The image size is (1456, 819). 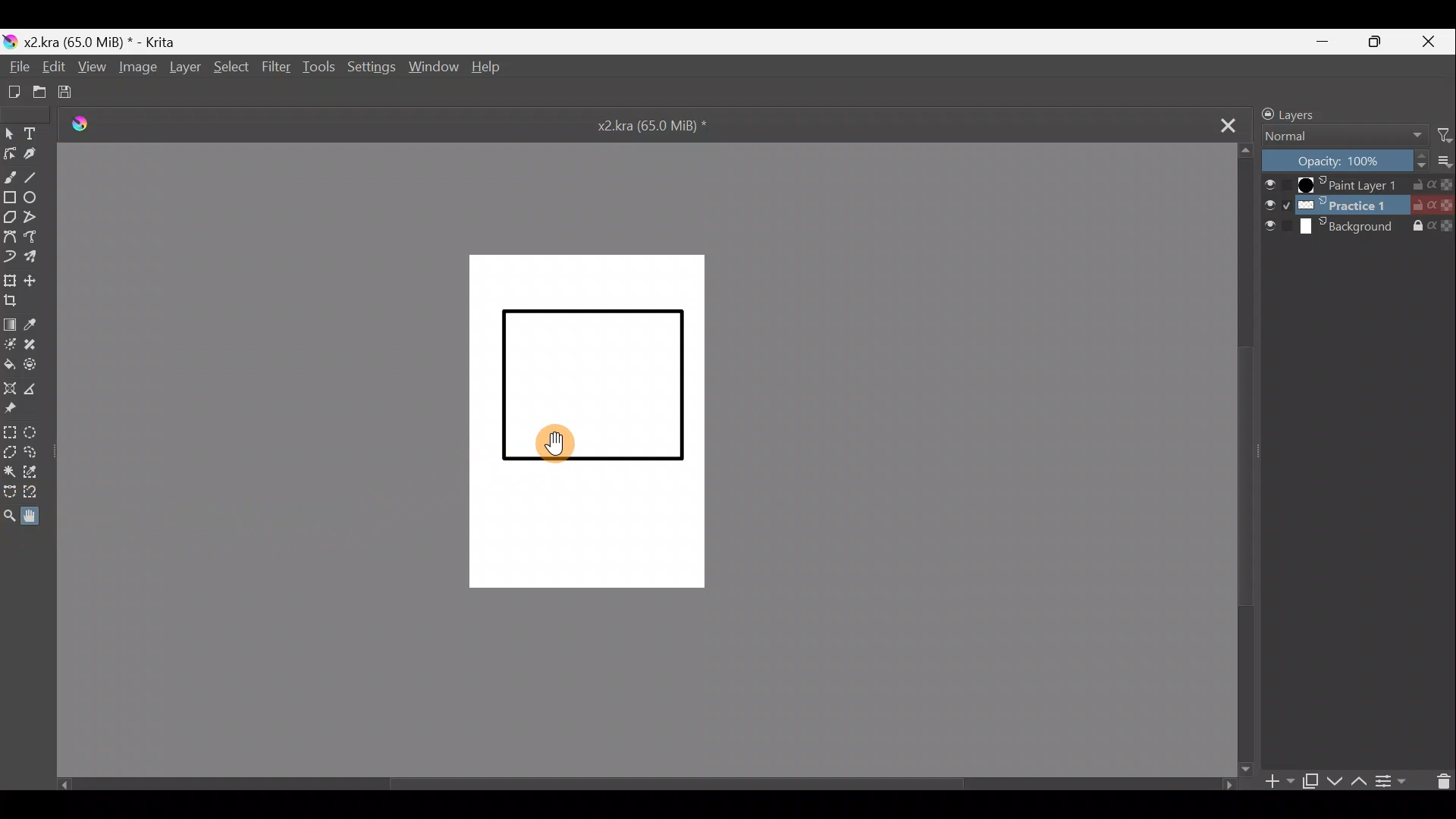 What do you see at coordinates (1429, 42) in the screenshot?
I see `Close` at bounding box center [1429, 42].